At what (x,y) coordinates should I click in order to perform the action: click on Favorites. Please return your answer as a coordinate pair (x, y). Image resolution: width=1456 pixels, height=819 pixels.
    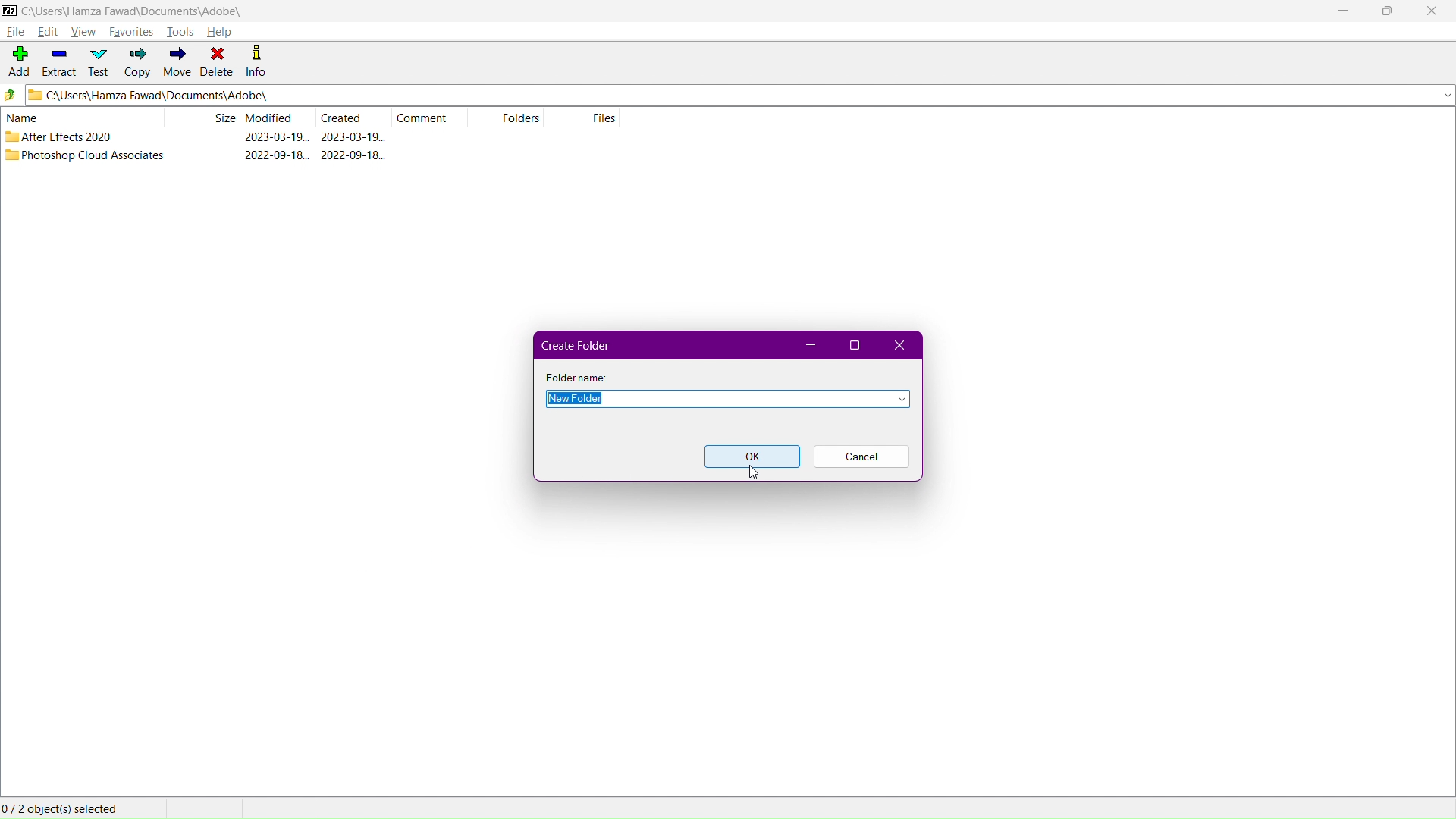
    Looking at the image, I should click on (133, 30).